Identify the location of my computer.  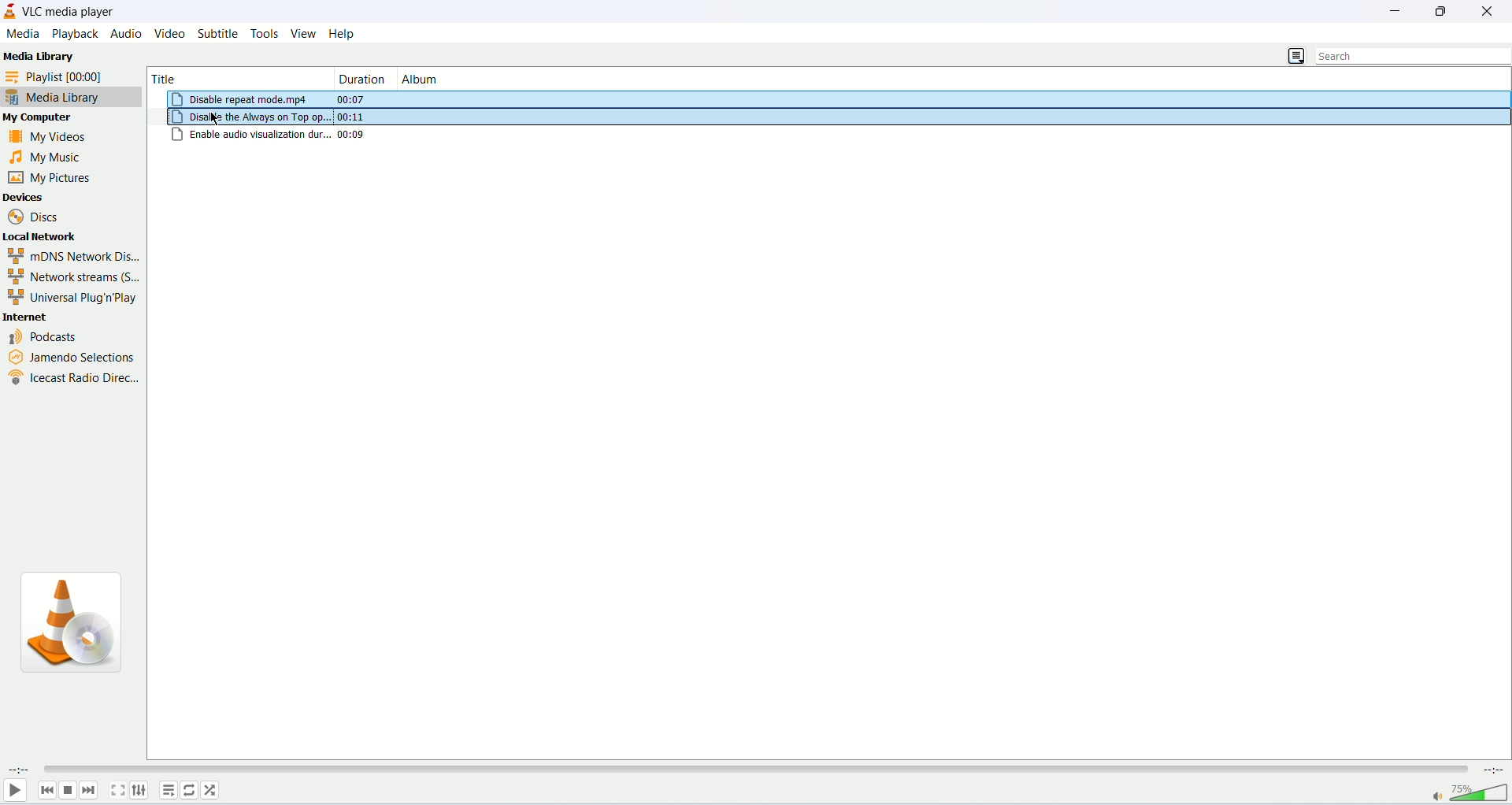
(51, 119).